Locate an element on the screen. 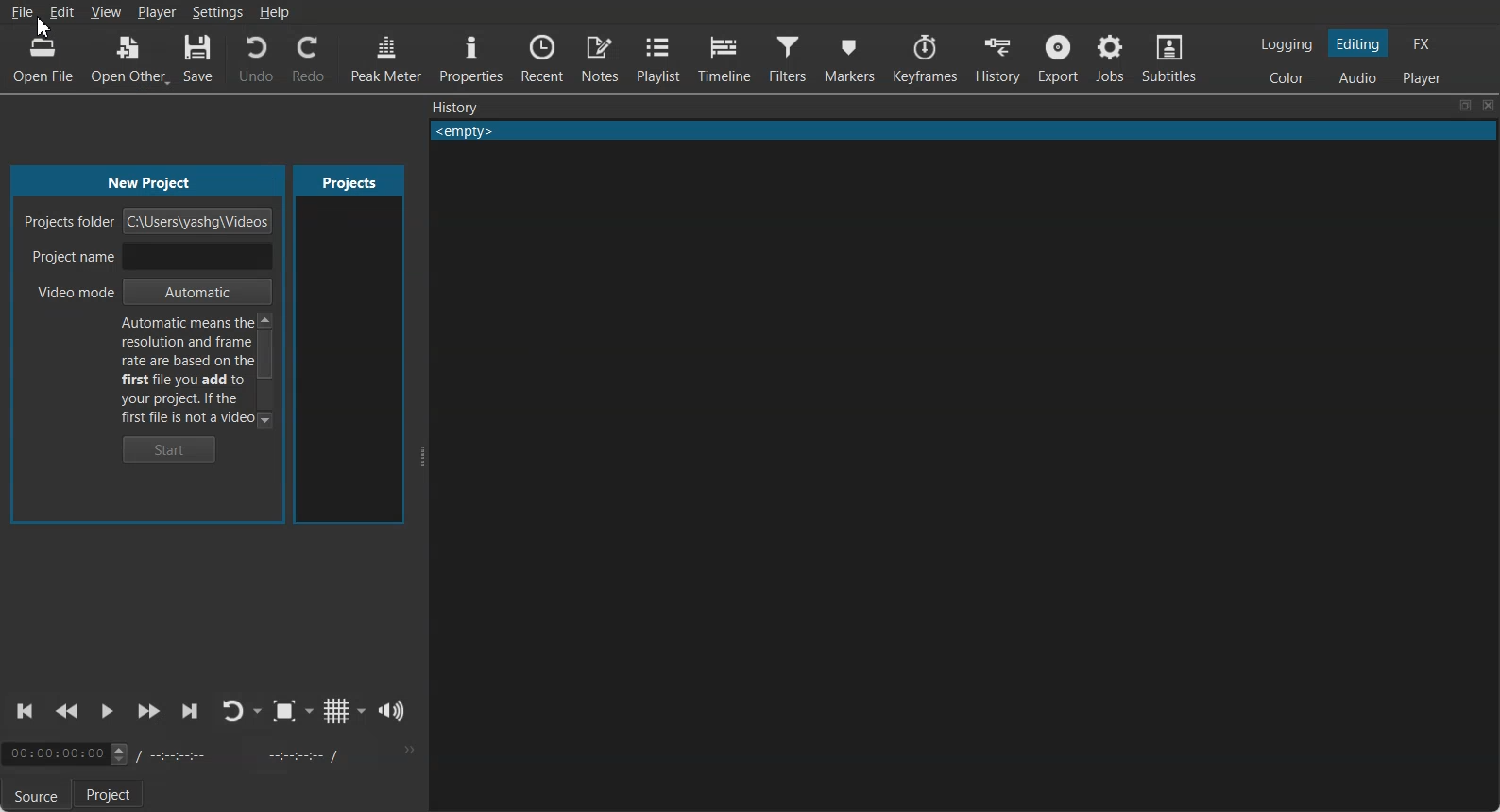  Play Quickly Forward is located at coordinates (148, 712).